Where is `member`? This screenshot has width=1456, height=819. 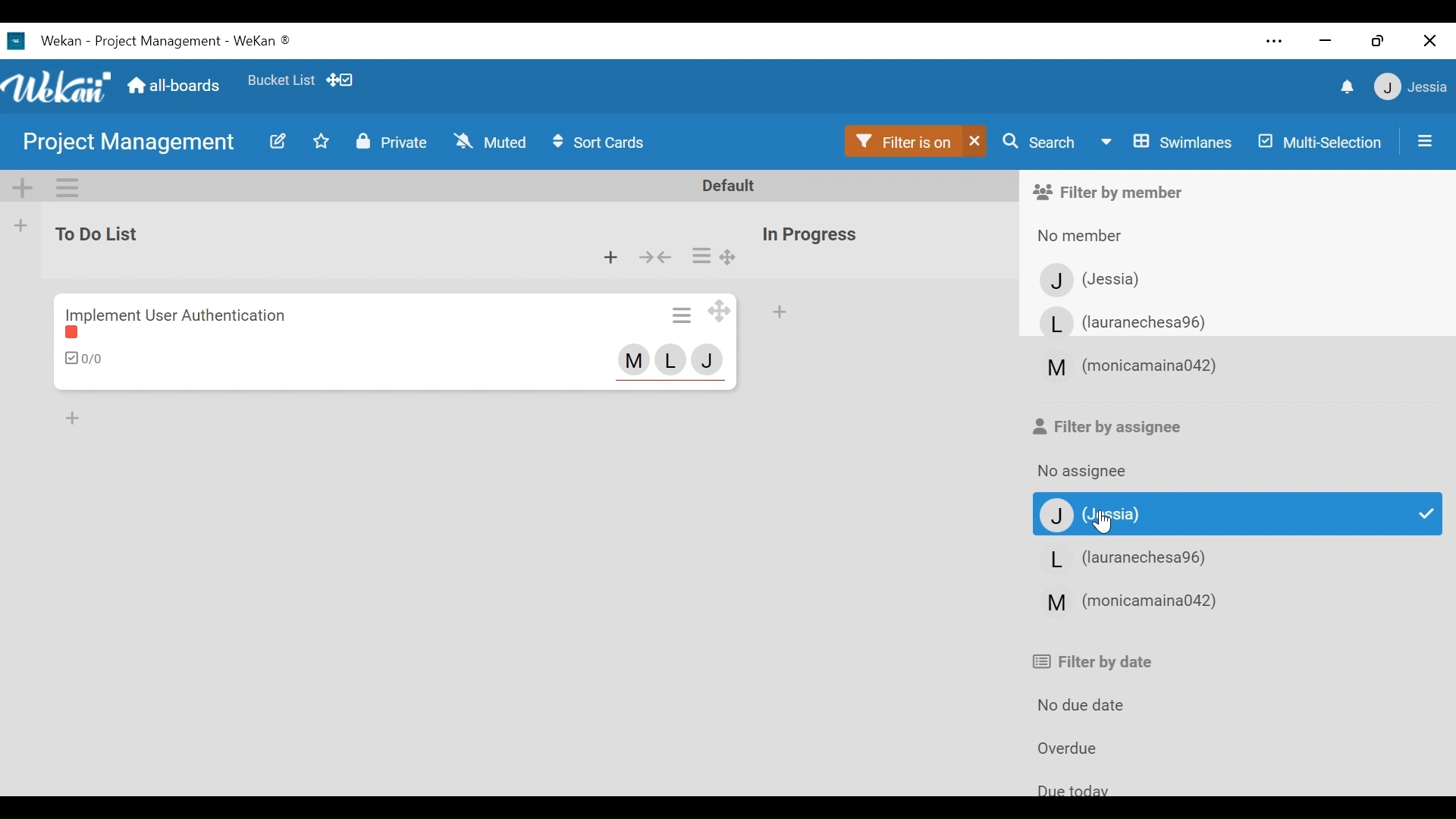
member is located at coordinates (673, 358).